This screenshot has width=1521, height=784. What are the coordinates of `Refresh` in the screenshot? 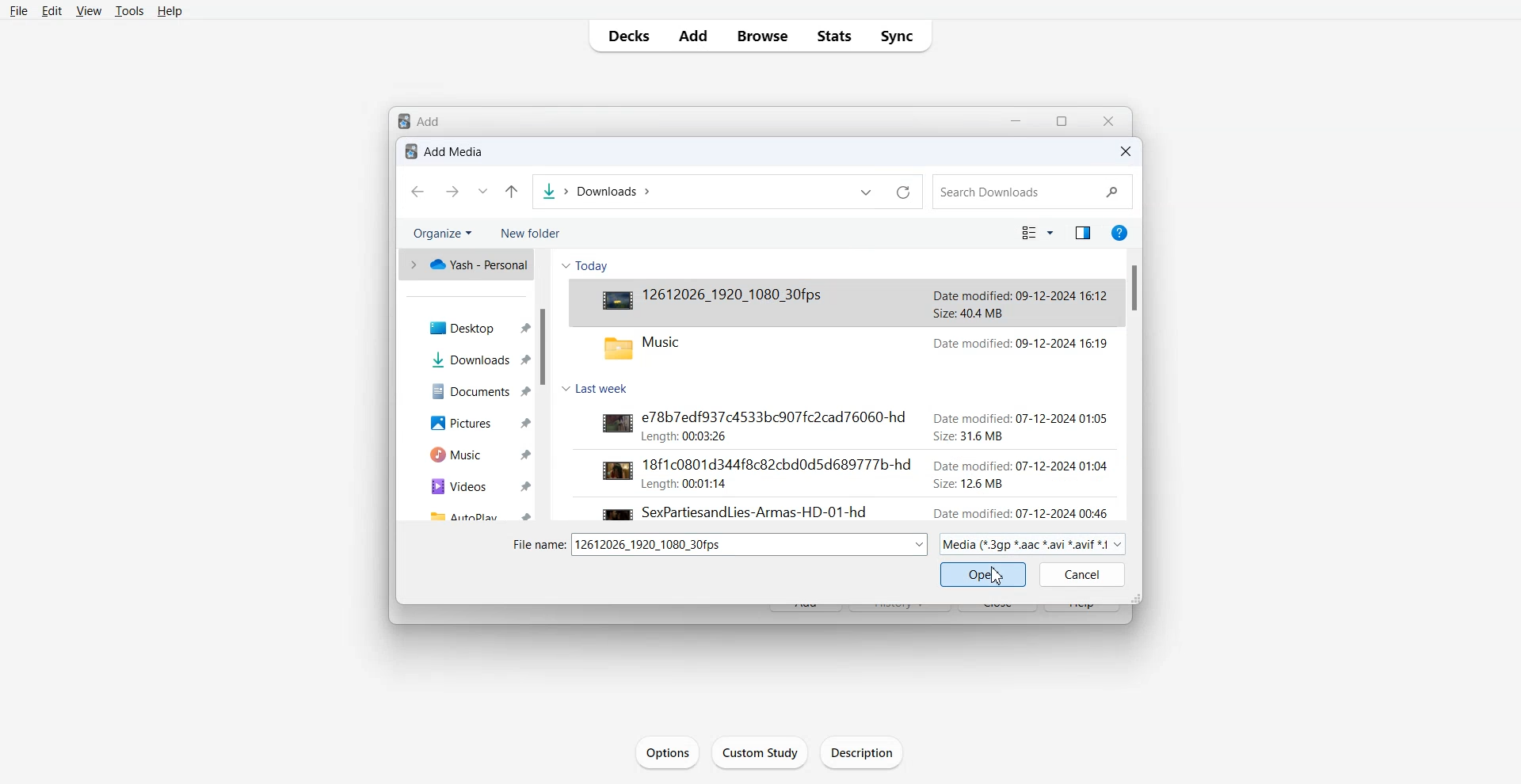 It's located at (903, 191).